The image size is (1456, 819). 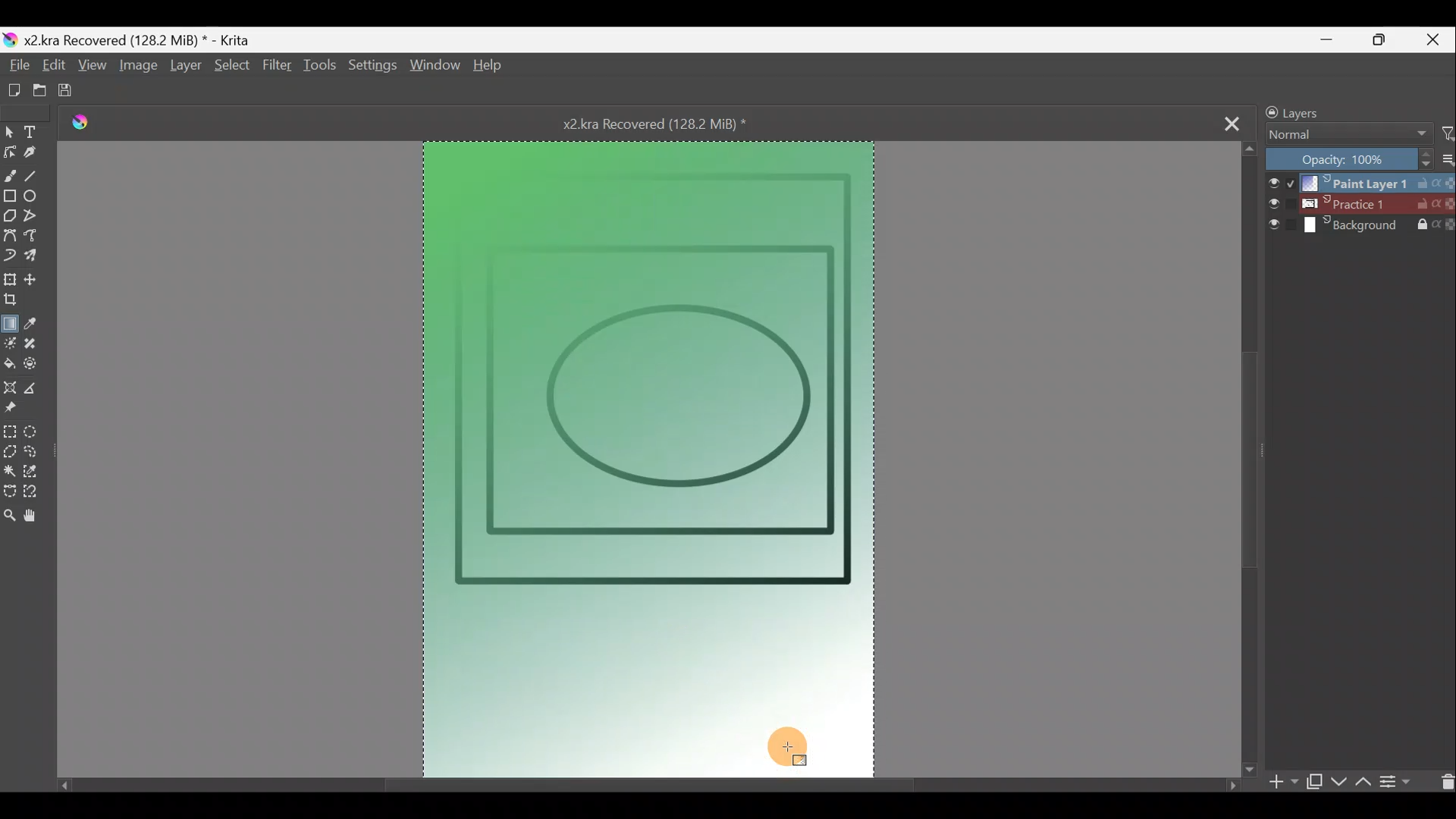 I want to click on Freehand path tool, so click(x=36, y=240).